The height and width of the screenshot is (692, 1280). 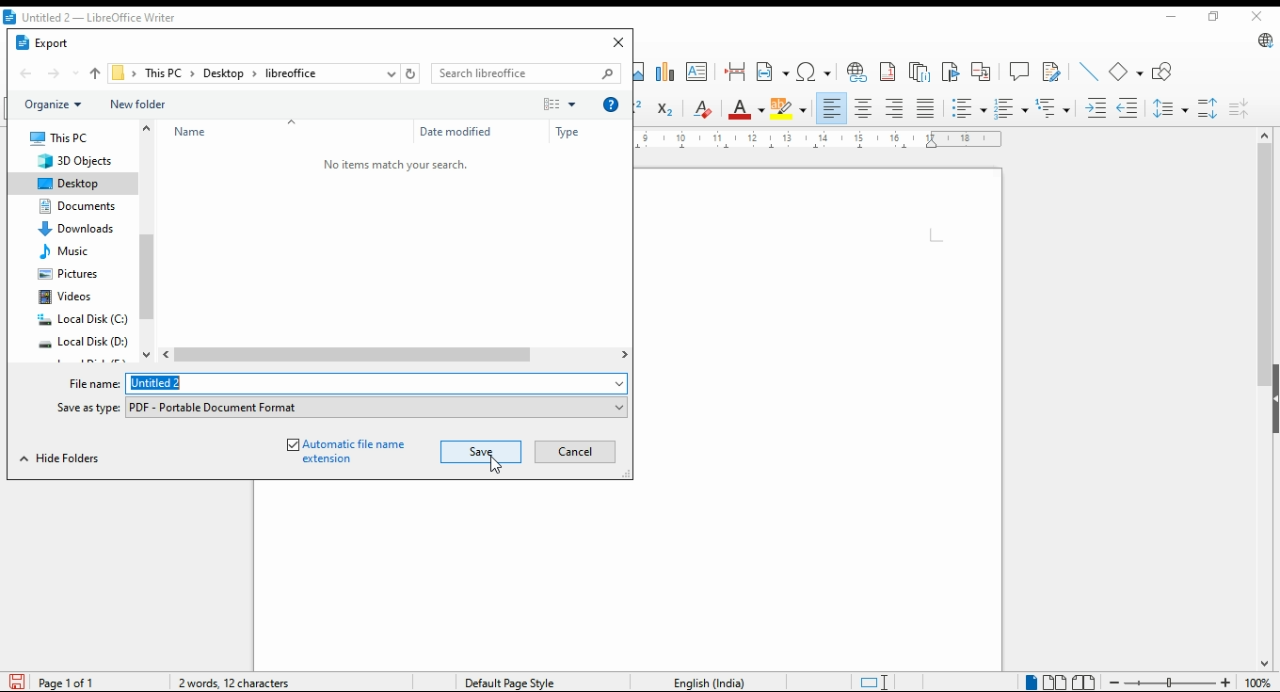 I want to click on back, so click(x=27, y=75).